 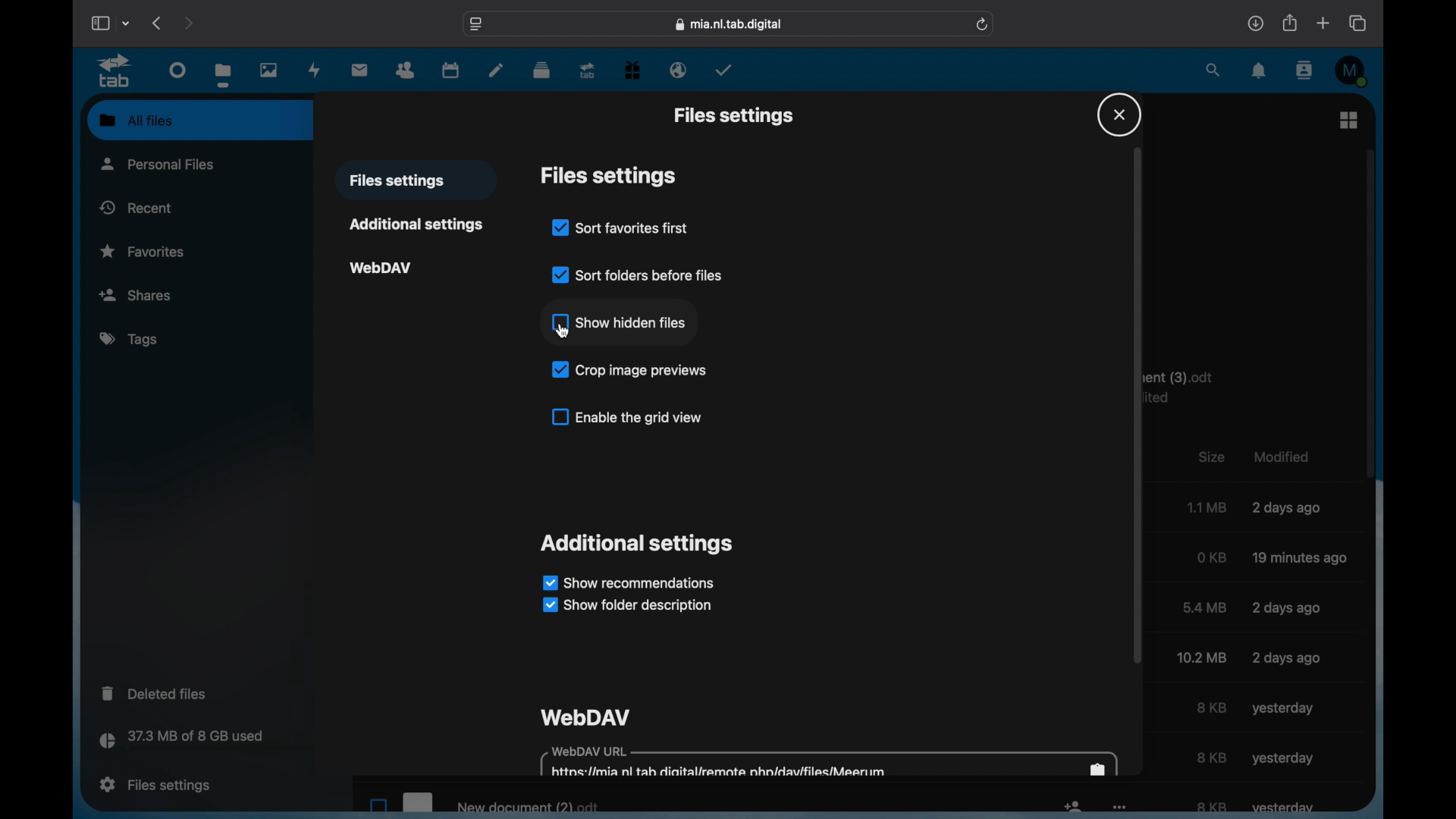 I want to click on new tab, so click(x=1323, y=23).